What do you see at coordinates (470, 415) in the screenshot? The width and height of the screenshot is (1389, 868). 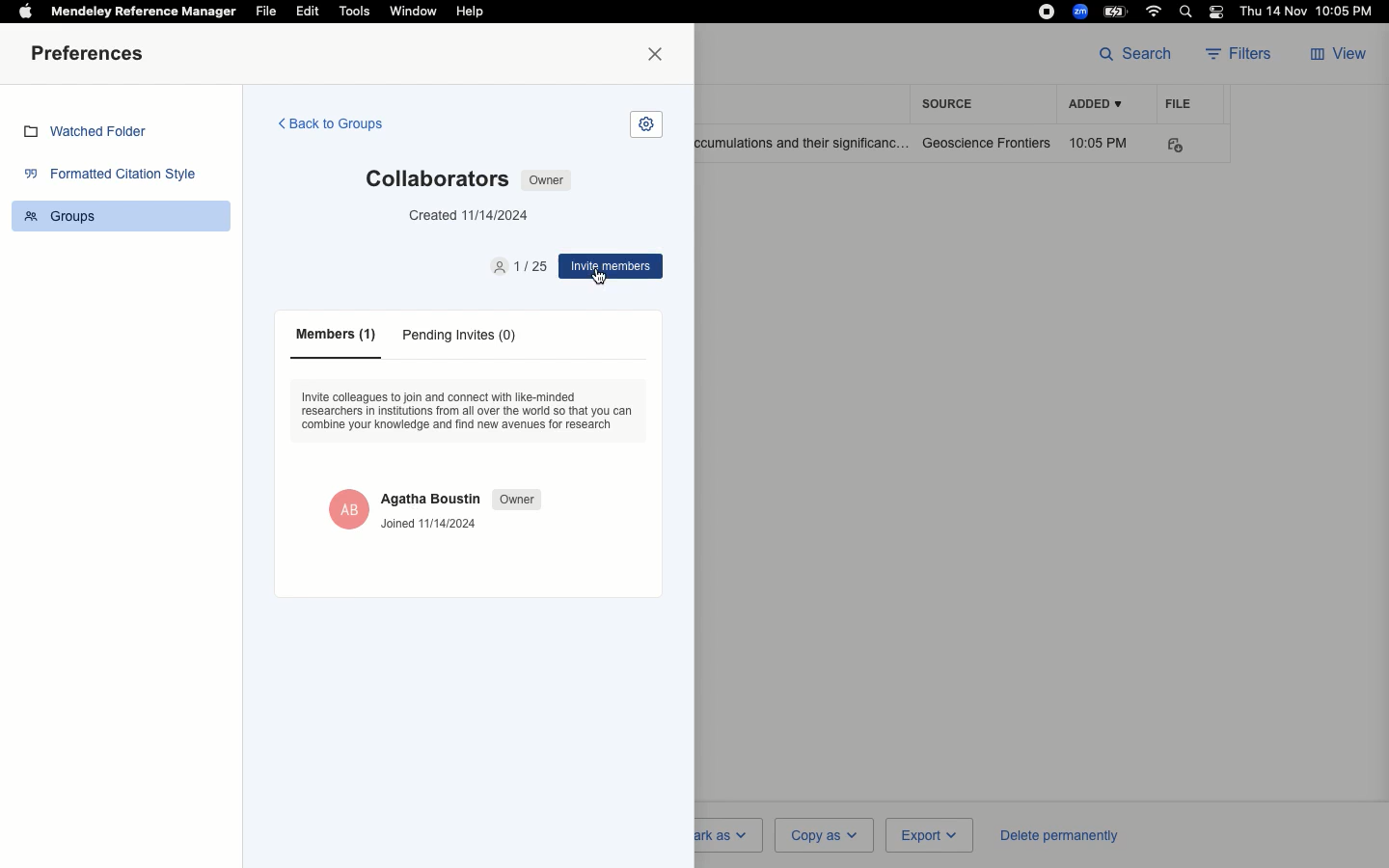 I see `Instructional text` at bounding box center [470, 415].